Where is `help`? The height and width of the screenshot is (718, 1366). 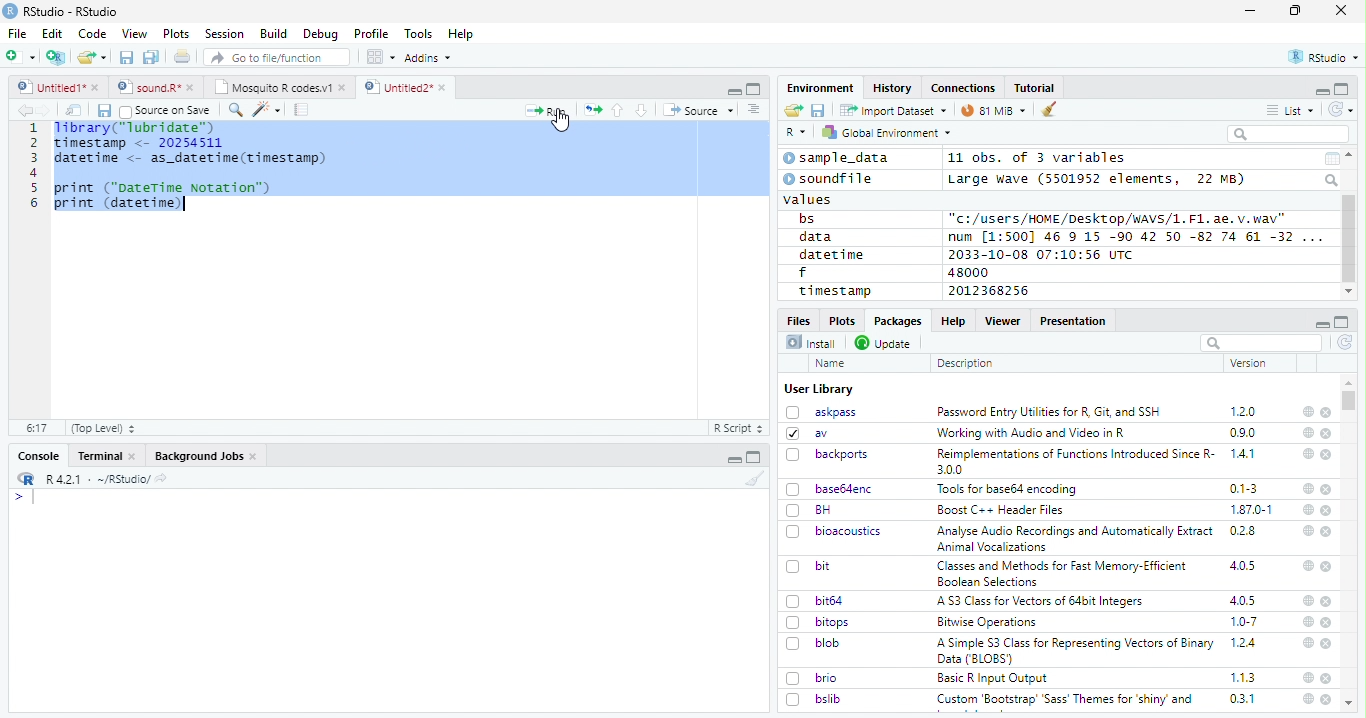 help is located at coordinates (1306, 530).